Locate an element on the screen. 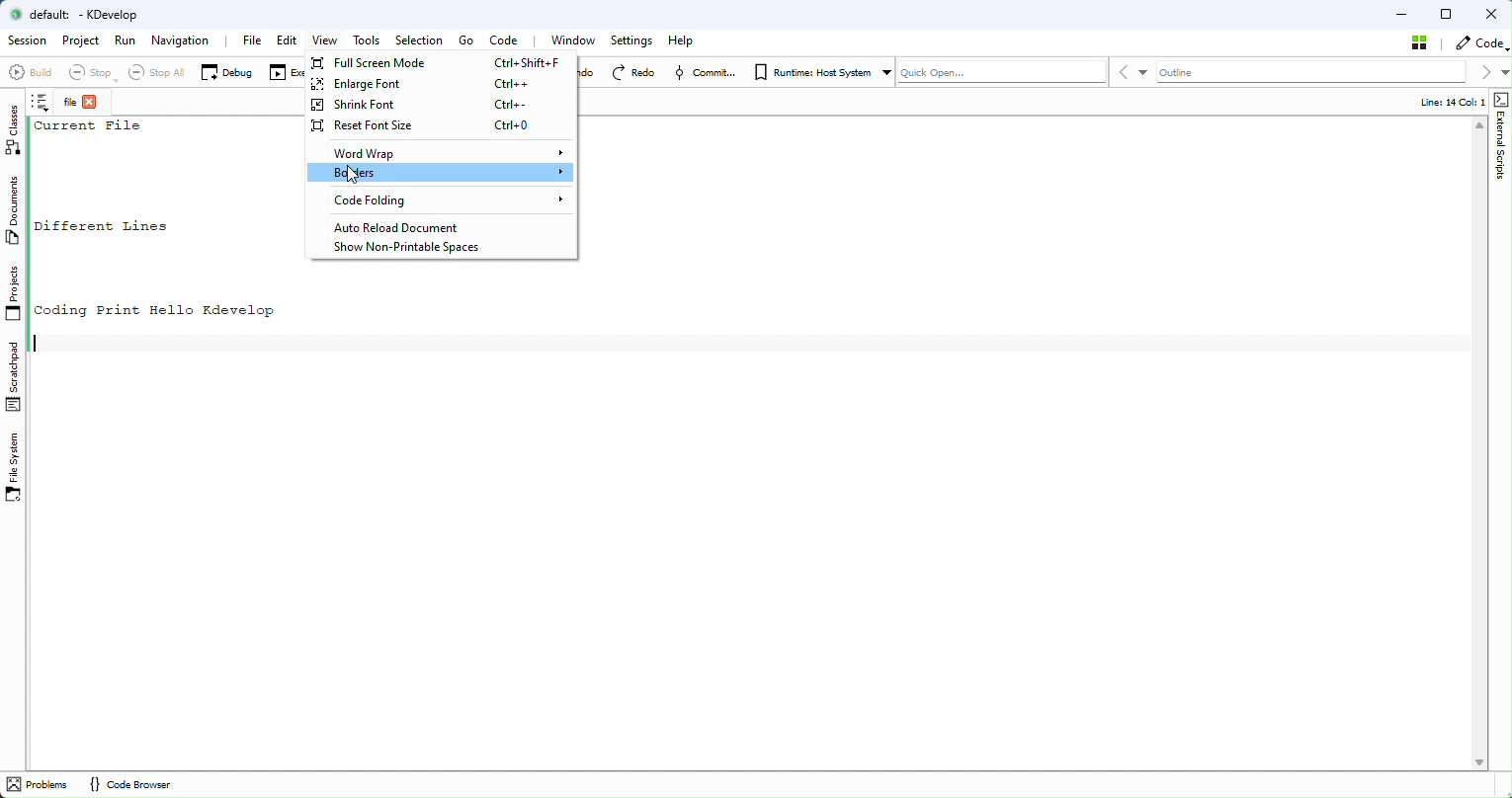 Image resolution: width=1512 pixels, height=798 pixels. World map is located at coordinates (442, 151).